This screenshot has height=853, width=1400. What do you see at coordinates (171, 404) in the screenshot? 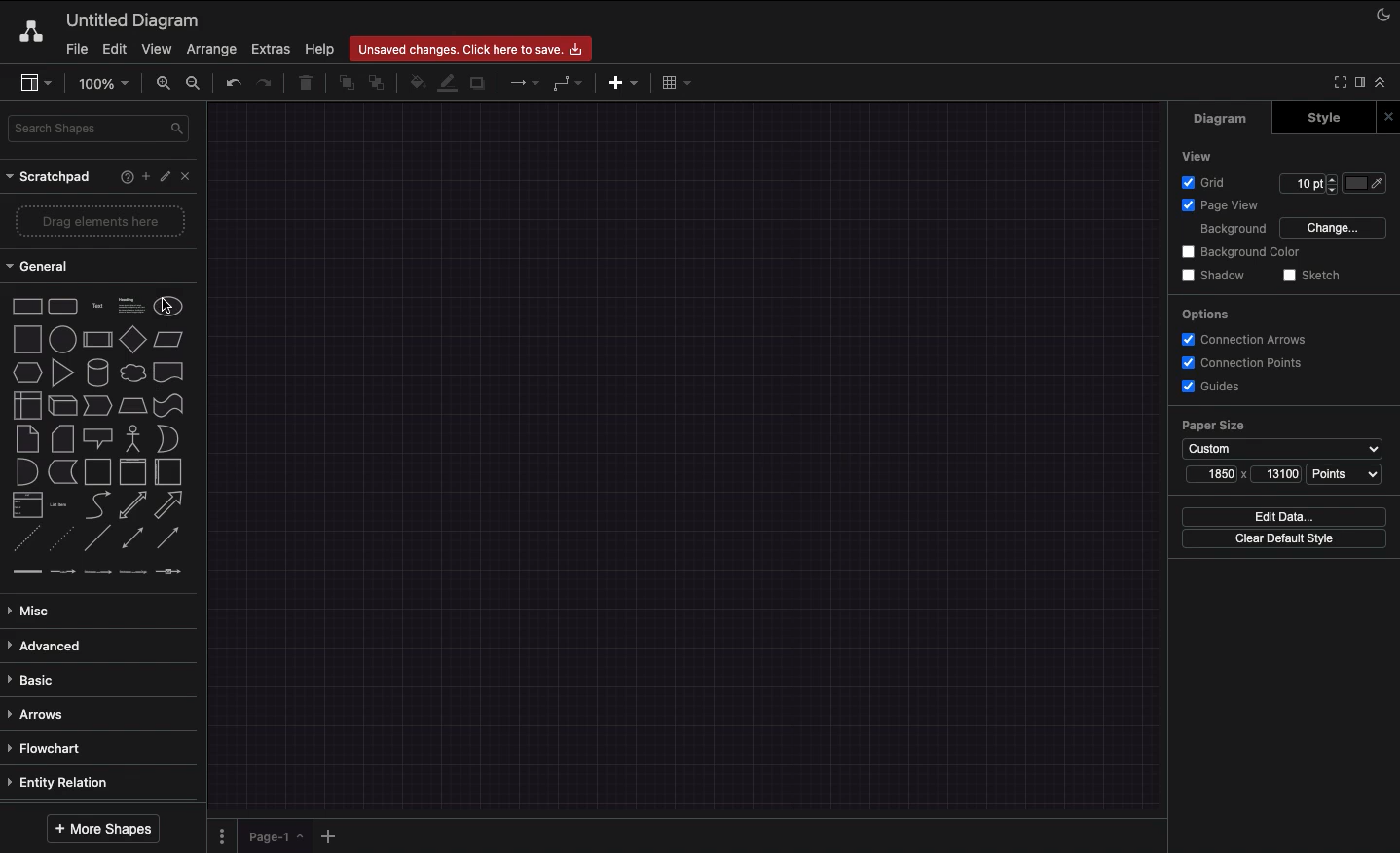
I see `Tape` at bounding box center [171, 404].